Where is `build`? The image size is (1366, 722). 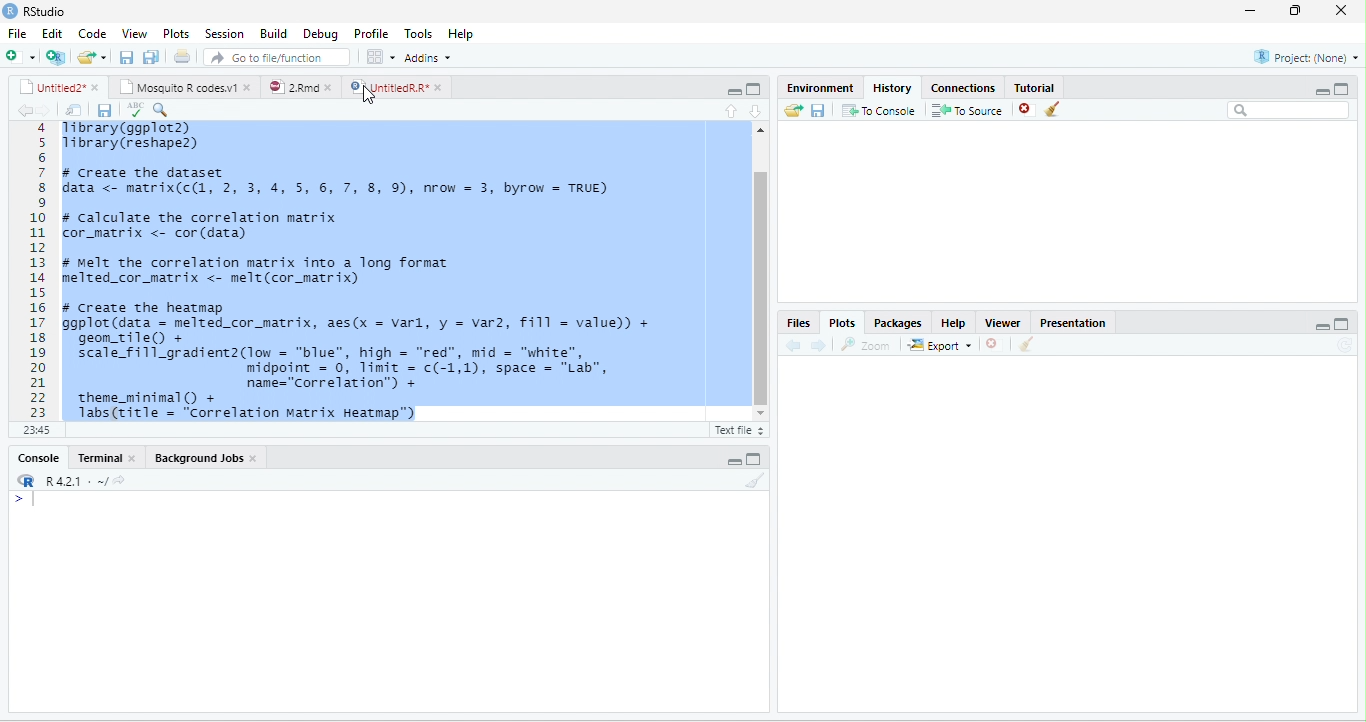 build is located at coordinates (273, 32).